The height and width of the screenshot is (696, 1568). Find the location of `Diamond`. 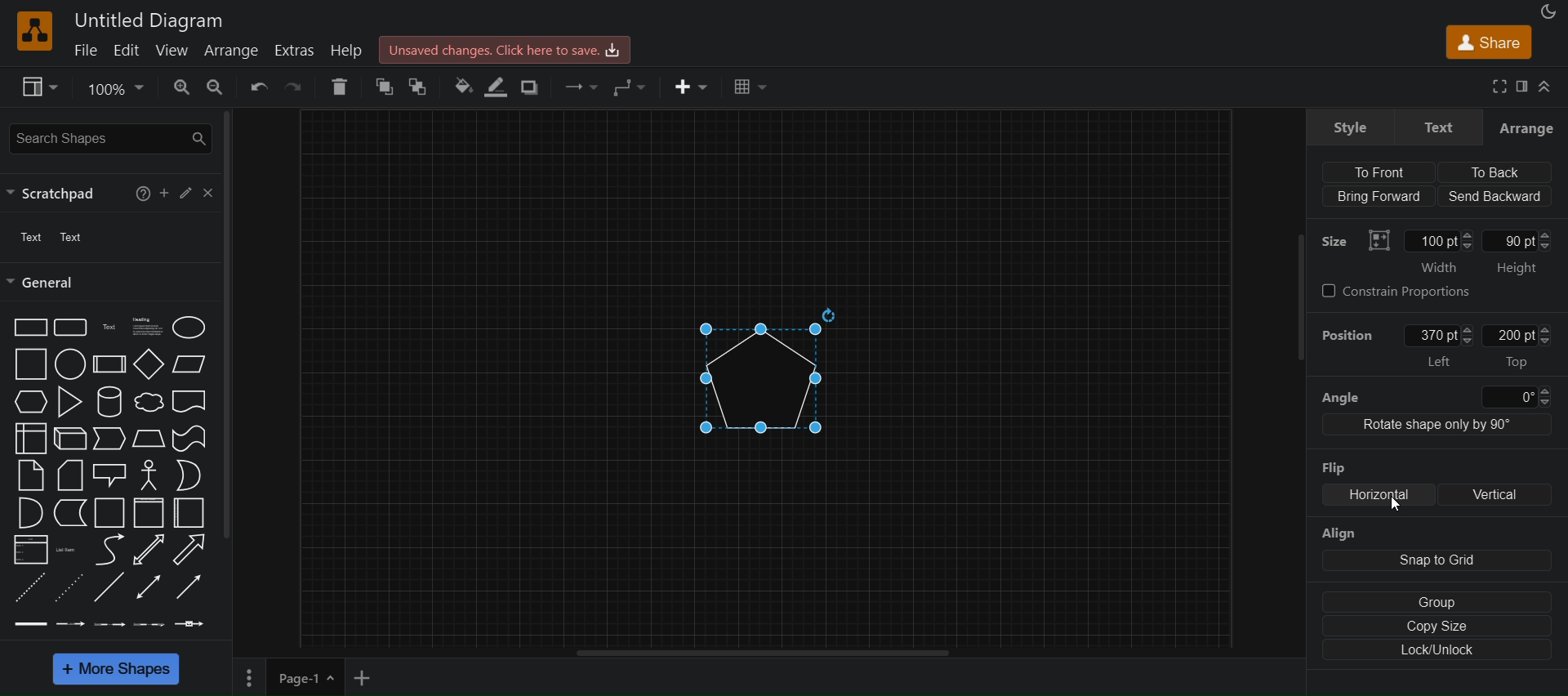

Diamond is located at coordinates (149, 364).